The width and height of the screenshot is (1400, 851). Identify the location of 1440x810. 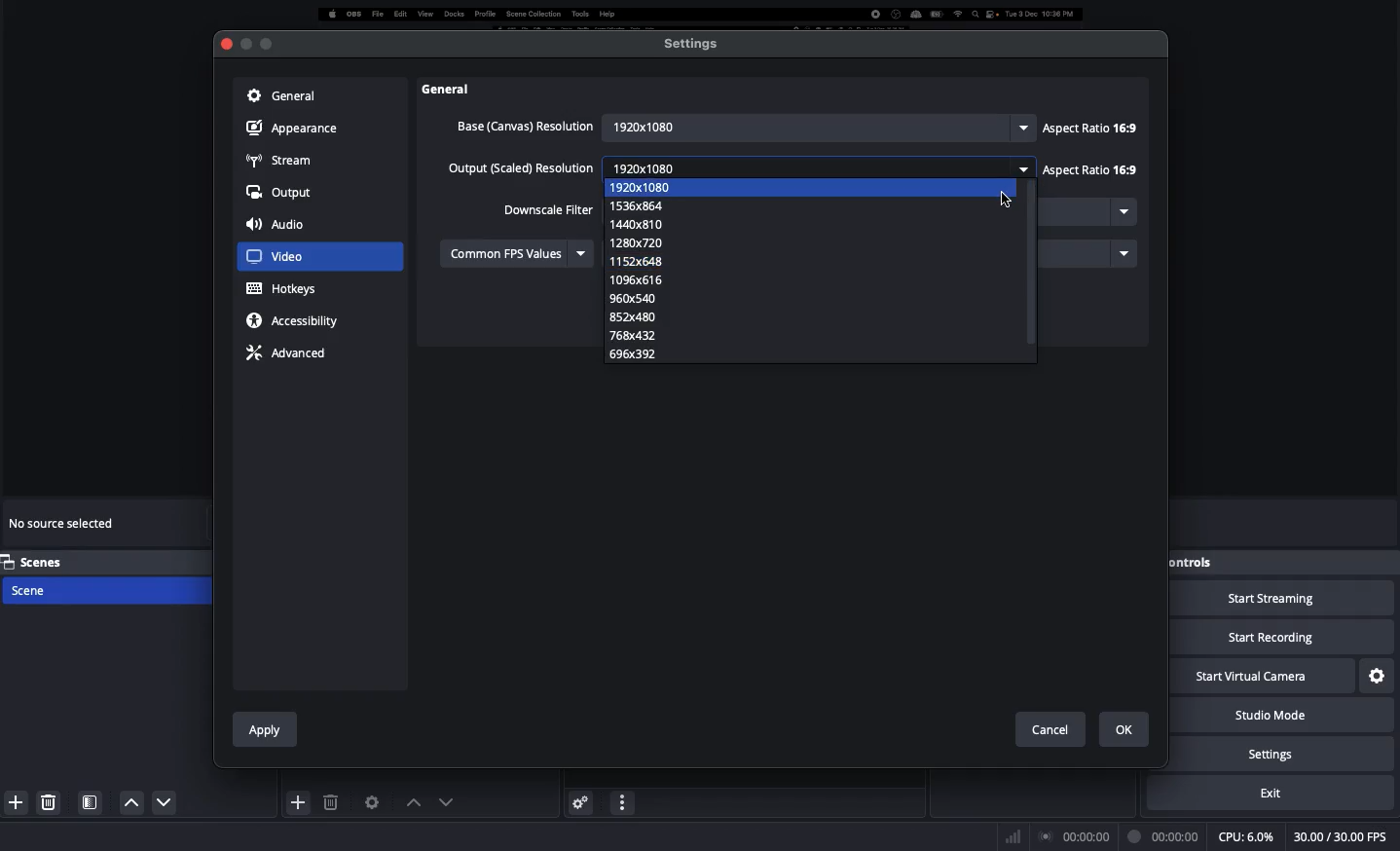
(649, 223).